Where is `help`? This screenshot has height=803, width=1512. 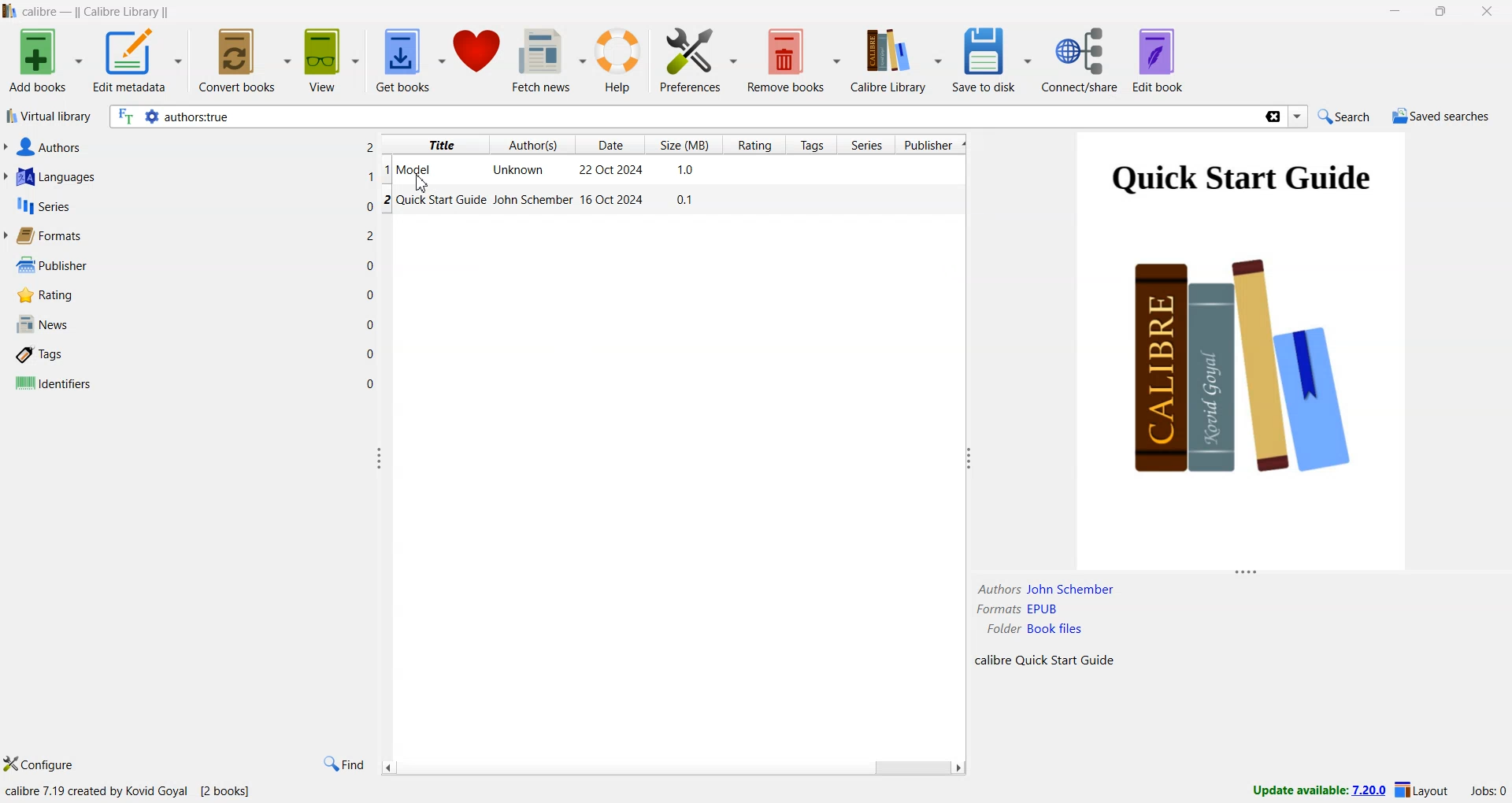
help is located at coordinates (622, 62).